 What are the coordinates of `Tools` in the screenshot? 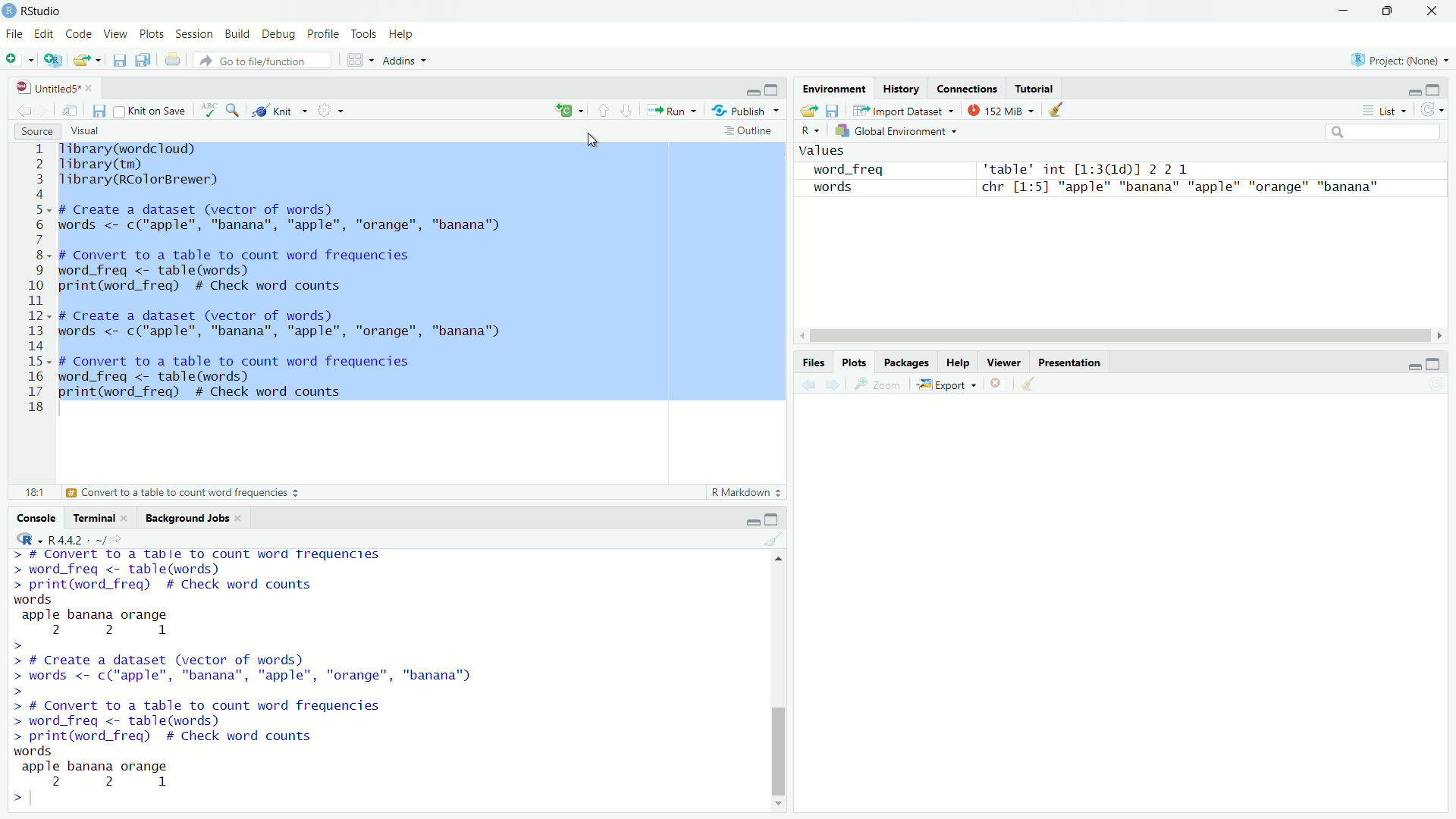 It's located at (363, 33).